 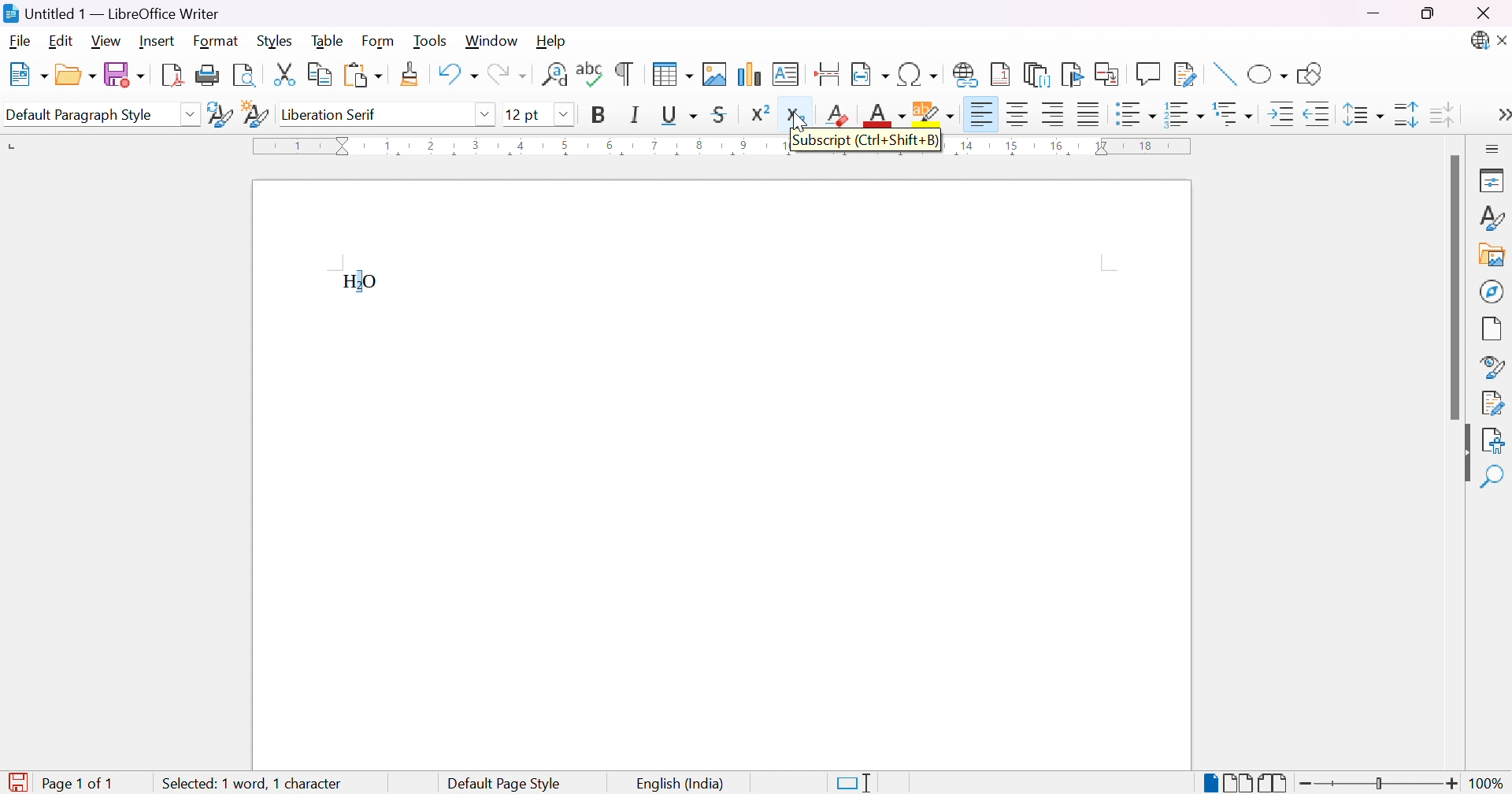 I want to click on Basic shapes, so click(x=1267, y=77).